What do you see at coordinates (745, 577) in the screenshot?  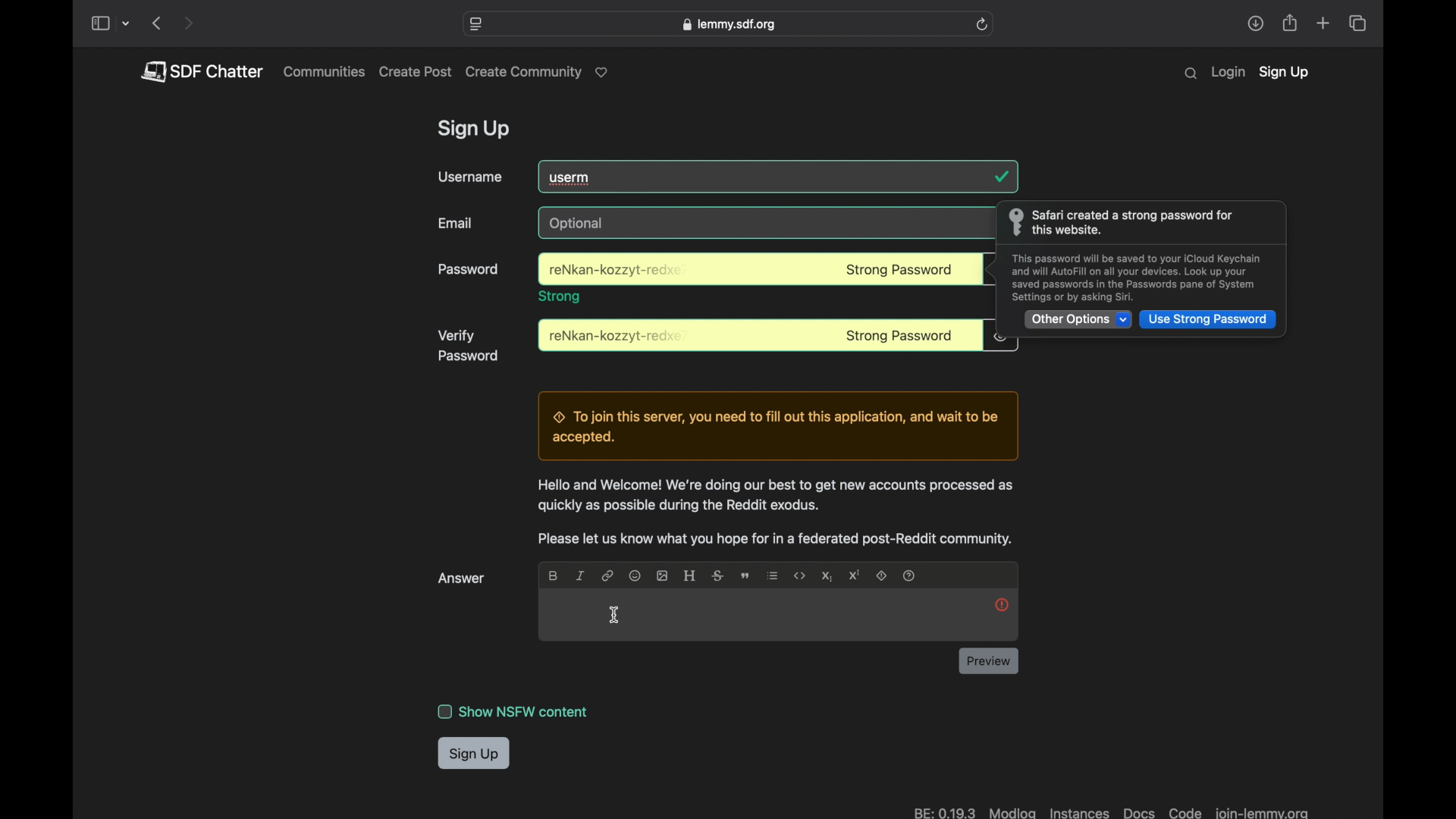 I see `quote` at bounding box center [745, 577].